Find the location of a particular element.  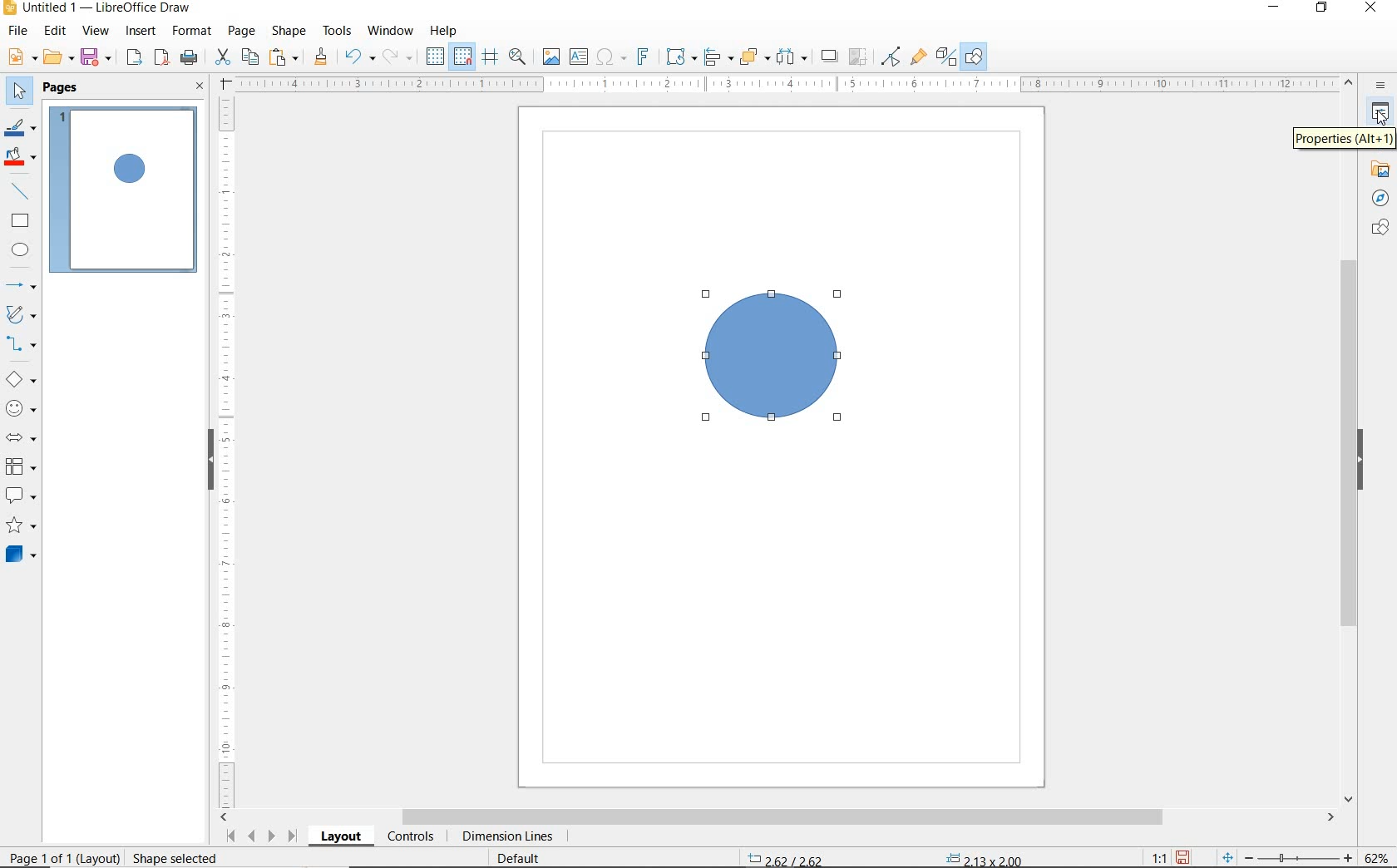

ELLIPSE is located at coordinates (22, 252).